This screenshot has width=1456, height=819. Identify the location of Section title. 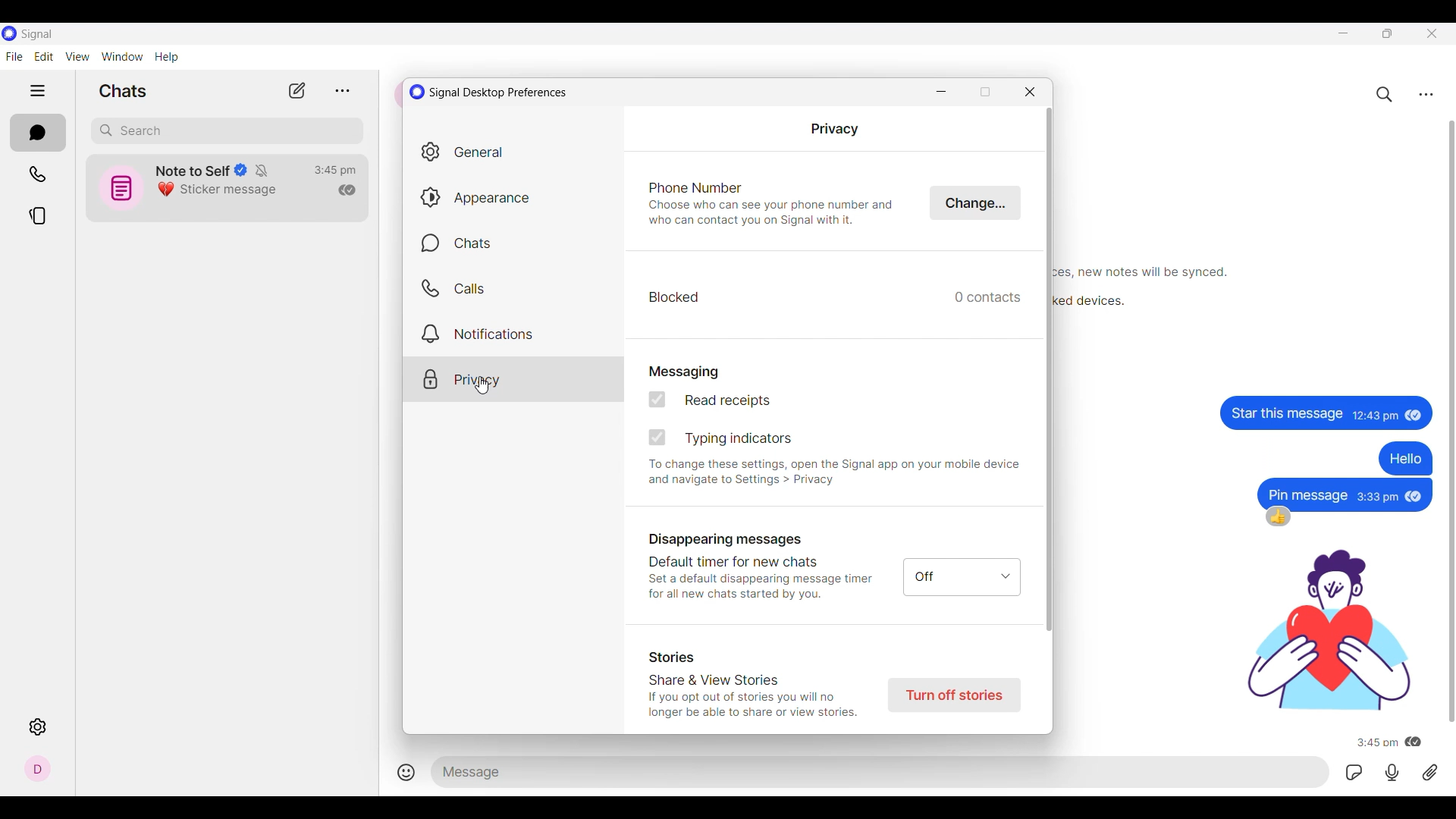
(123, 91).